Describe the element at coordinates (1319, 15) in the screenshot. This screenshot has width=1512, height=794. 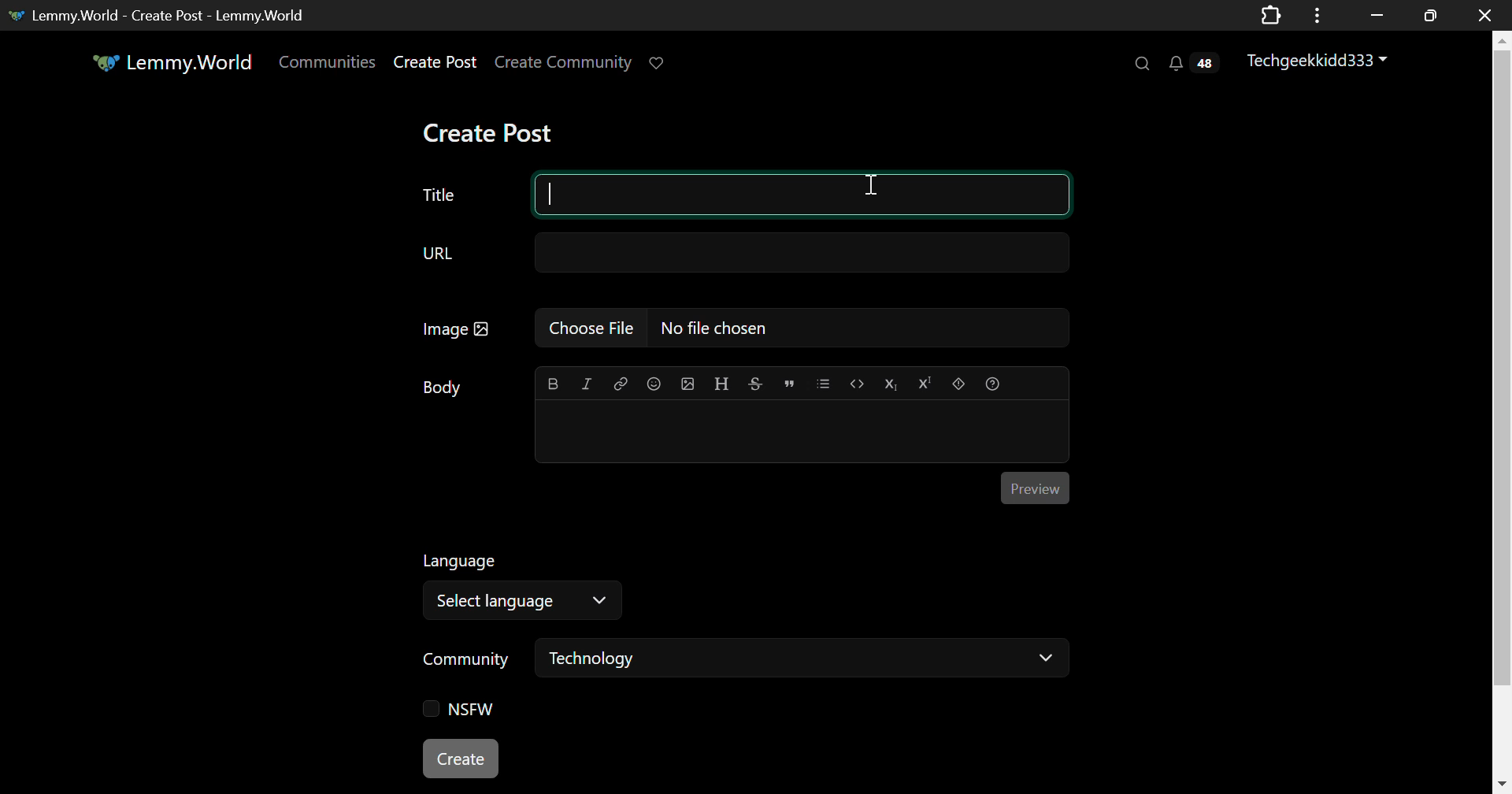
I see `Application Menu` at that location.